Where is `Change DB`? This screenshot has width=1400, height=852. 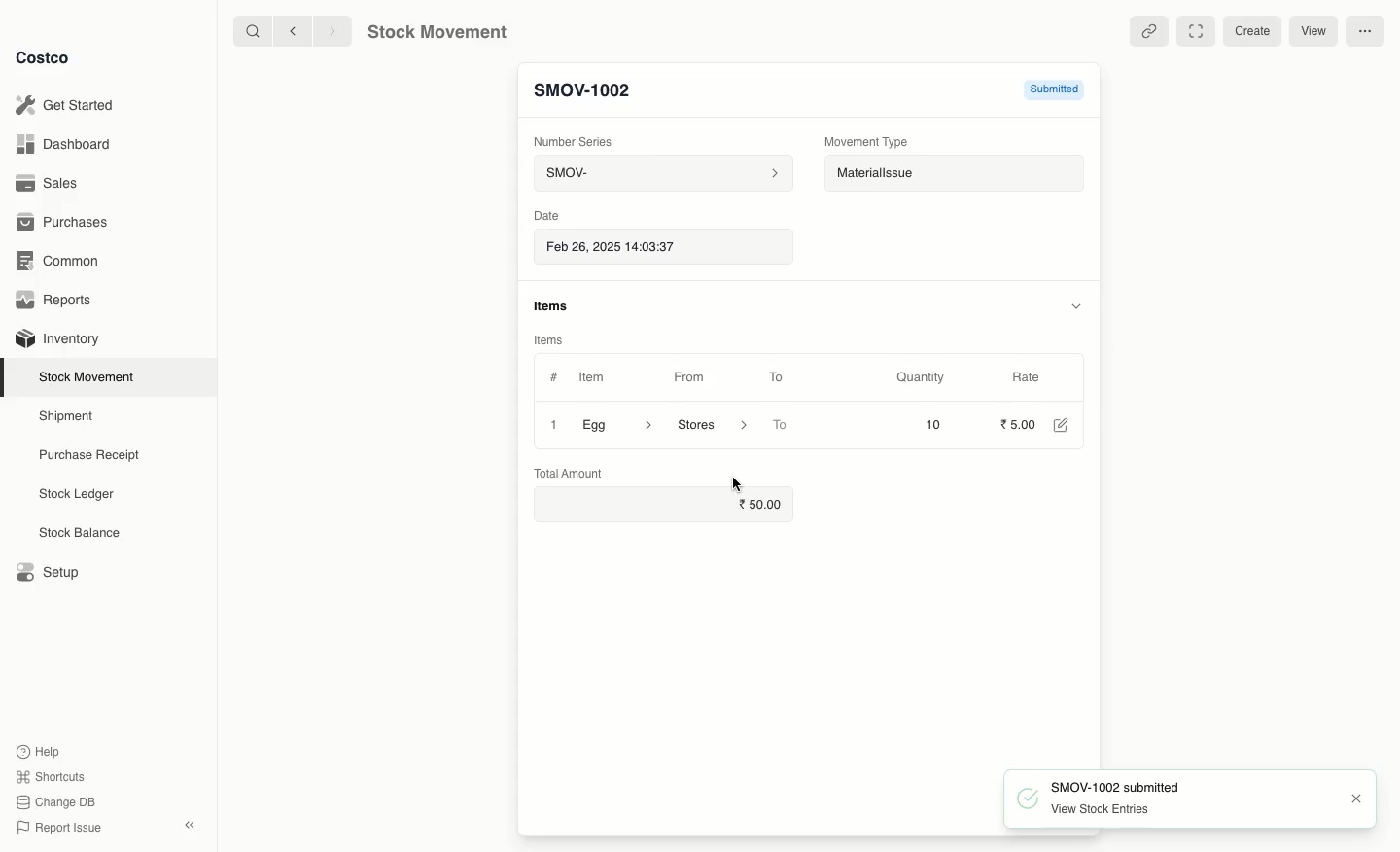
Change DB is located at coordinates (56, 802).